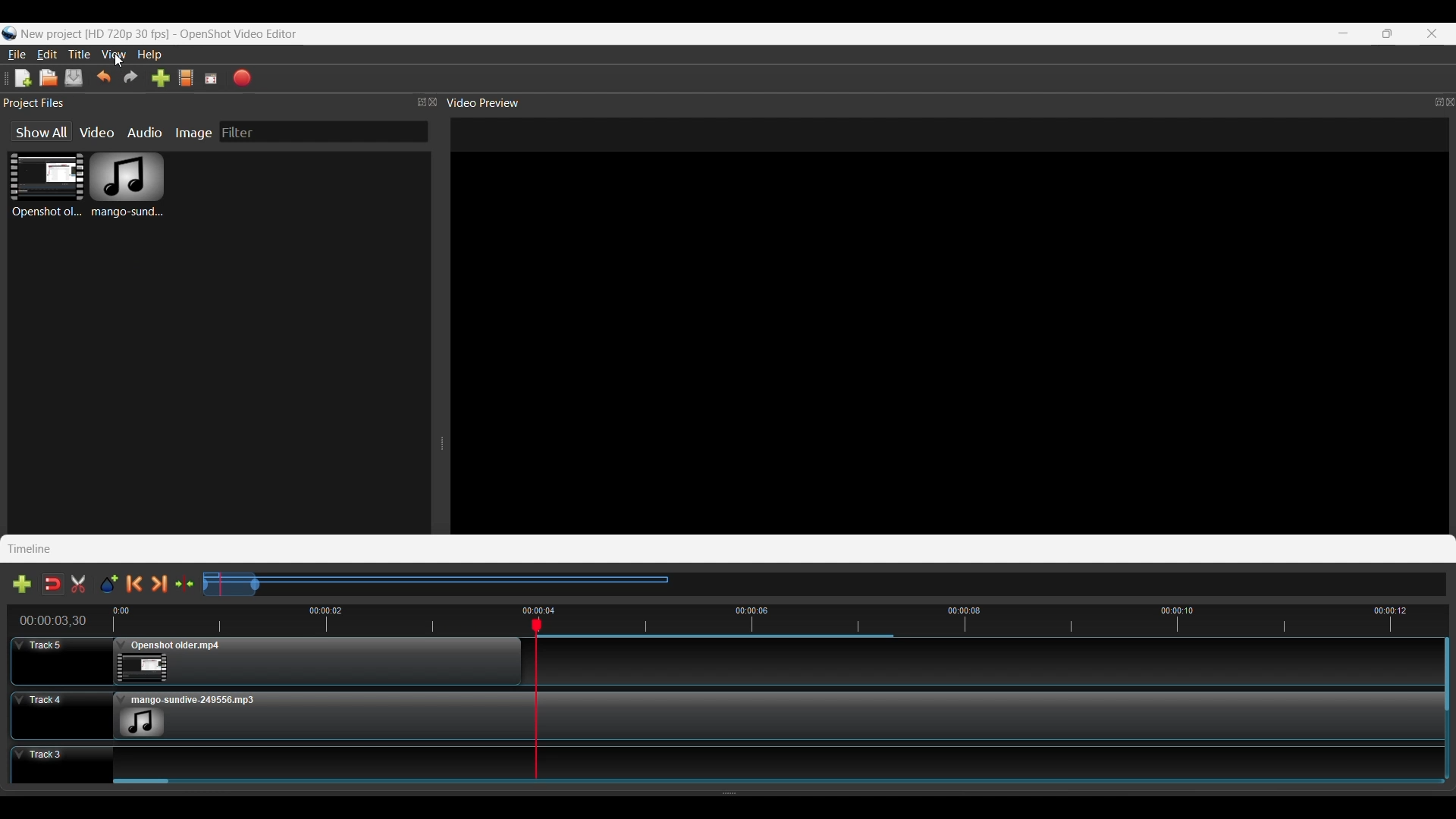 The width and height of the screenshot is (1456, 819). I want to click on Save Project, so click(74, 78).